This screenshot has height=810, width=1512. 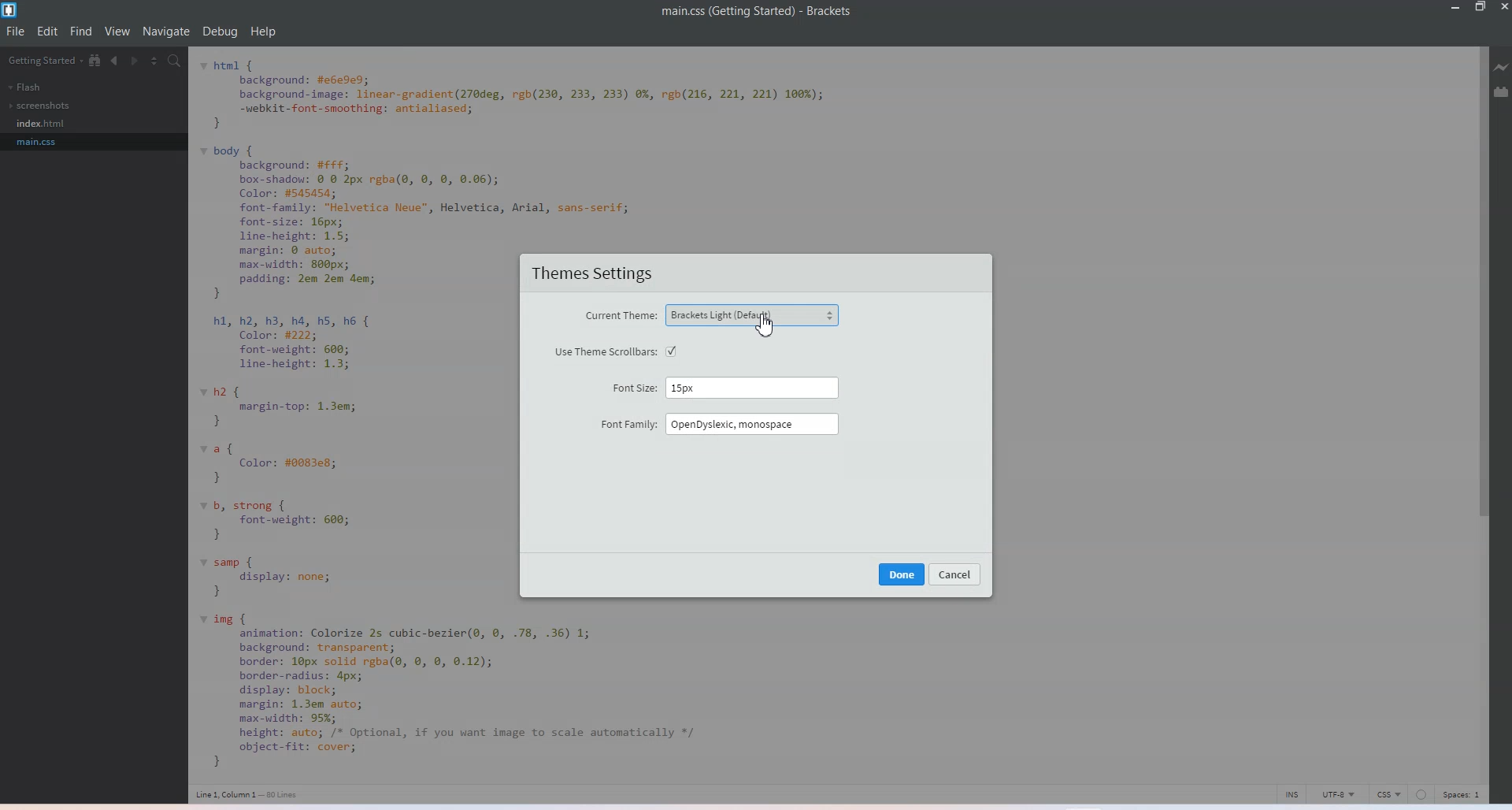 I want to click on Find, so click(x=82, y=31).